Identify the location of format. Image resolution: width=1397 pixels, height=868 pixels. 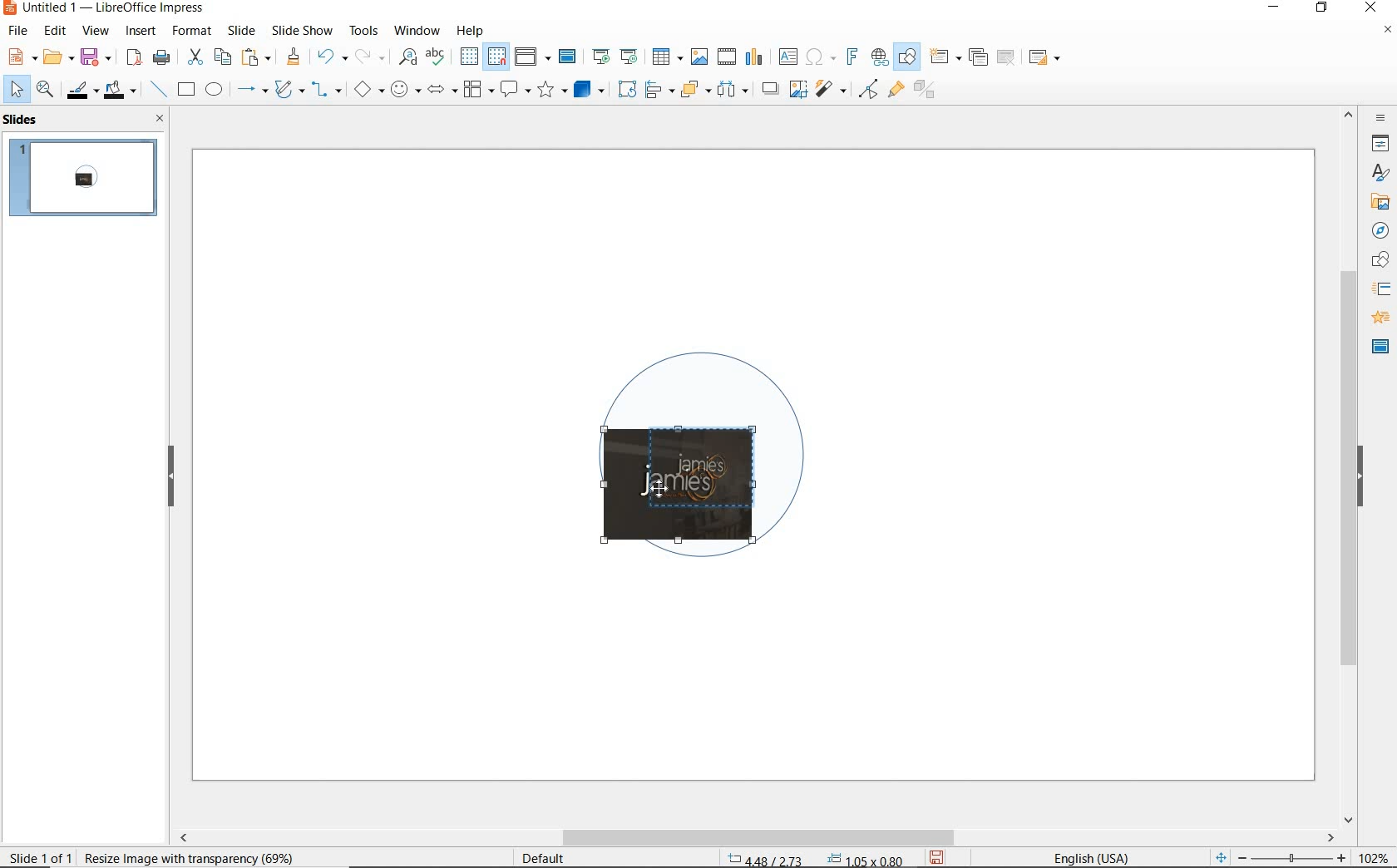
(190, 30).